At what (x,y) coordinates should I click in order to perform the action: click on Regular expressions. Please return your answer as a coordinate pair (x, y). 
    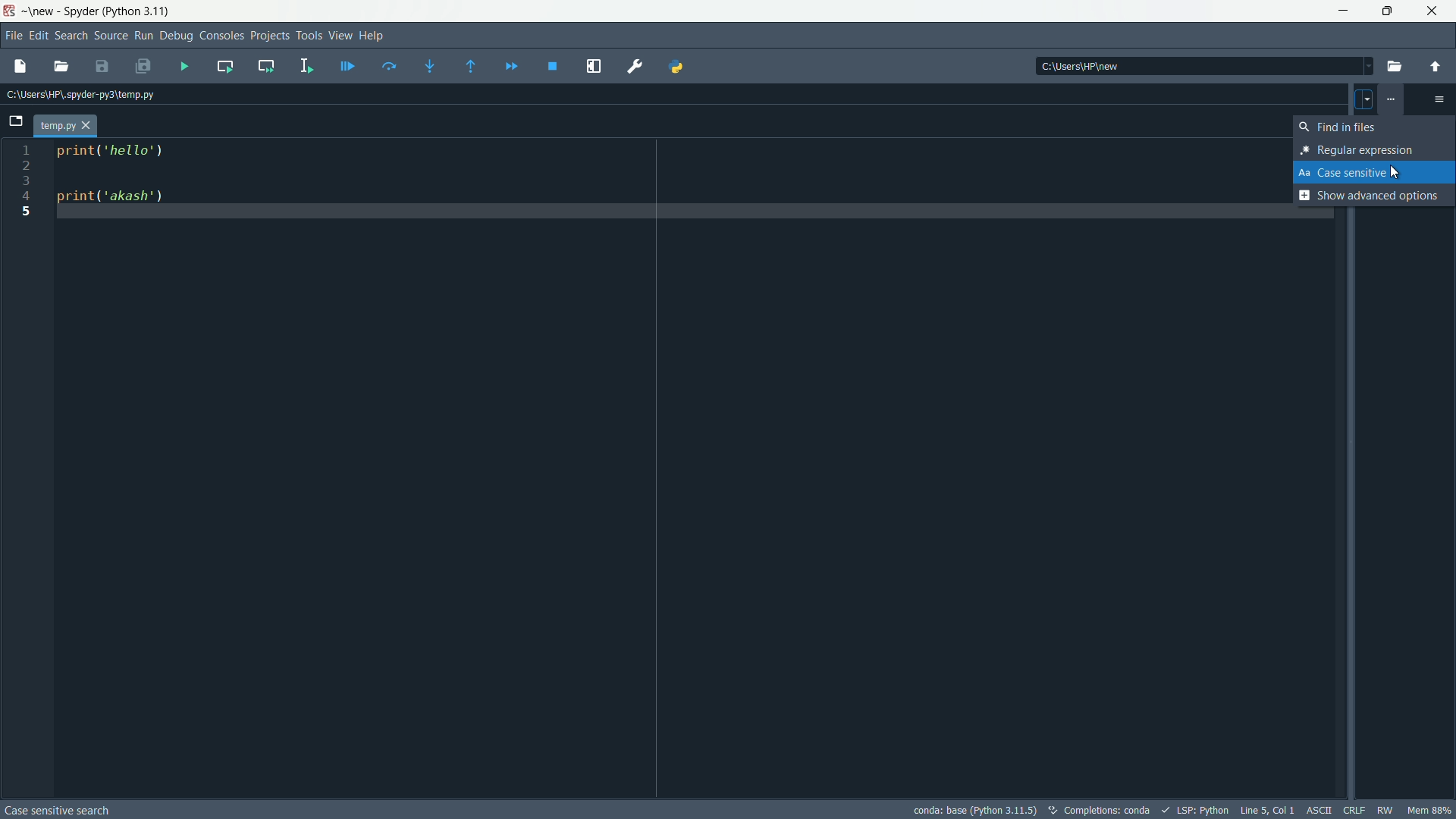
    Looking at the image, I should click on (1354, 149).